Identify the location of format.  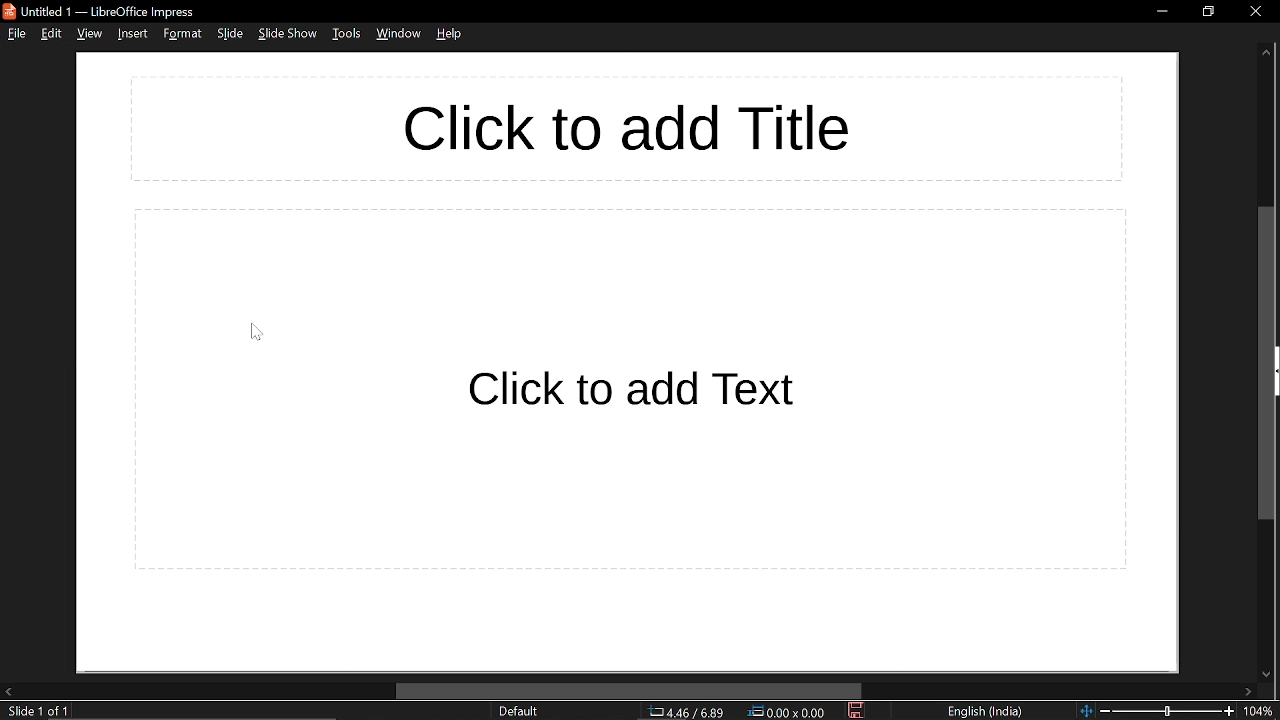
(182, 34).